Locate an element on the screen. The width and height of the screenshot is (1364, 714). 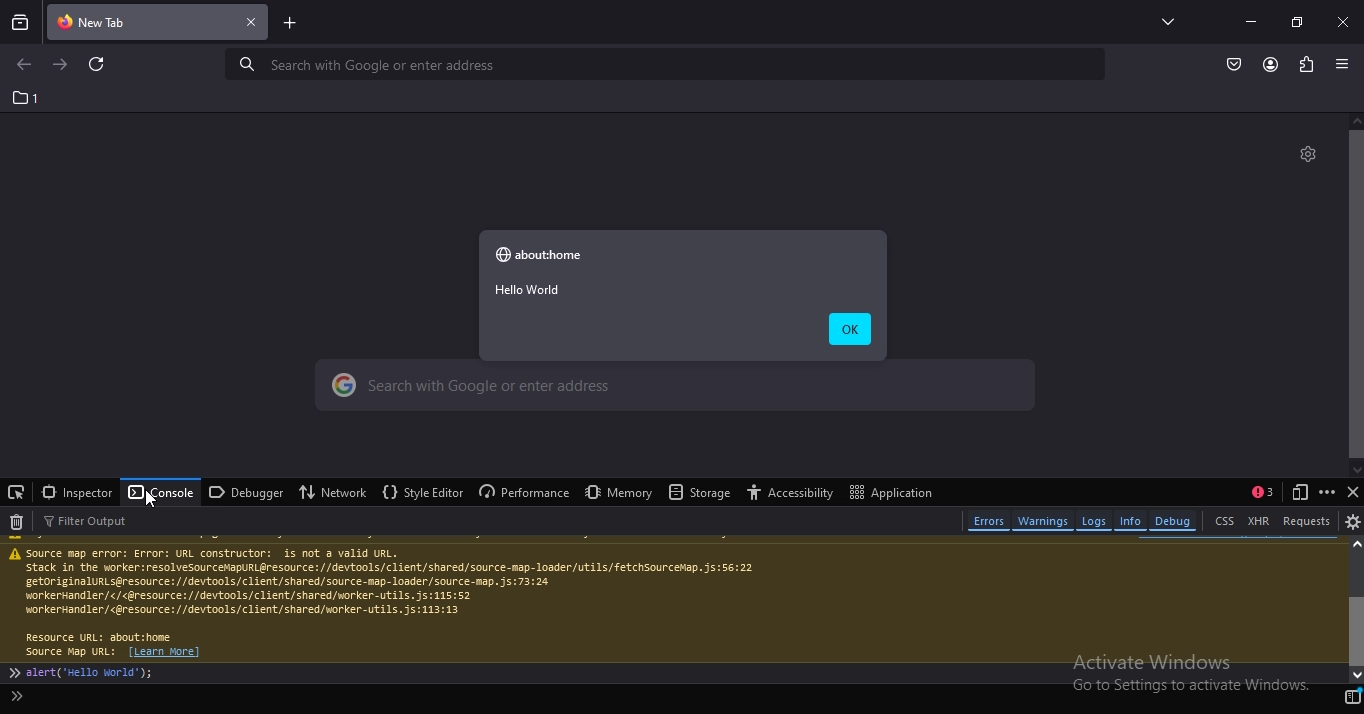
close is located at coordinates (251, 23).